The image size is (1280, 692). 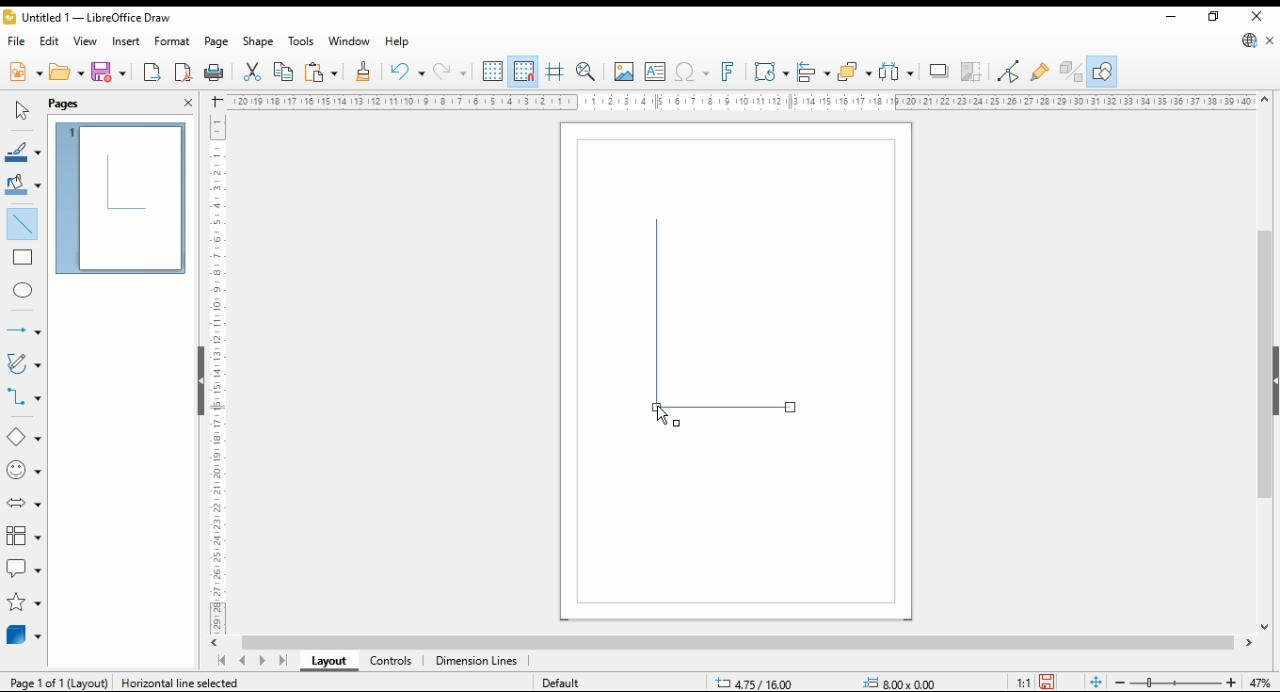 I want to click on export as PDF, so click(x=183, y=72).